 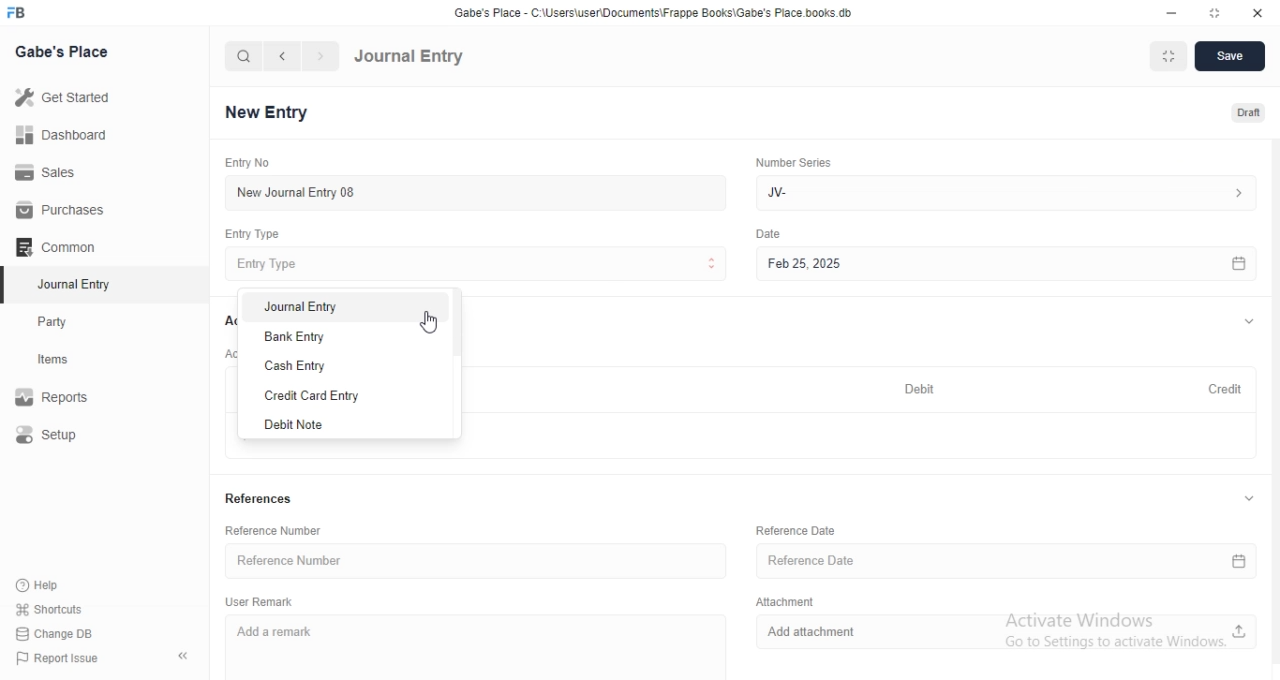 I want to click on Common, so click(x=60, y=247).